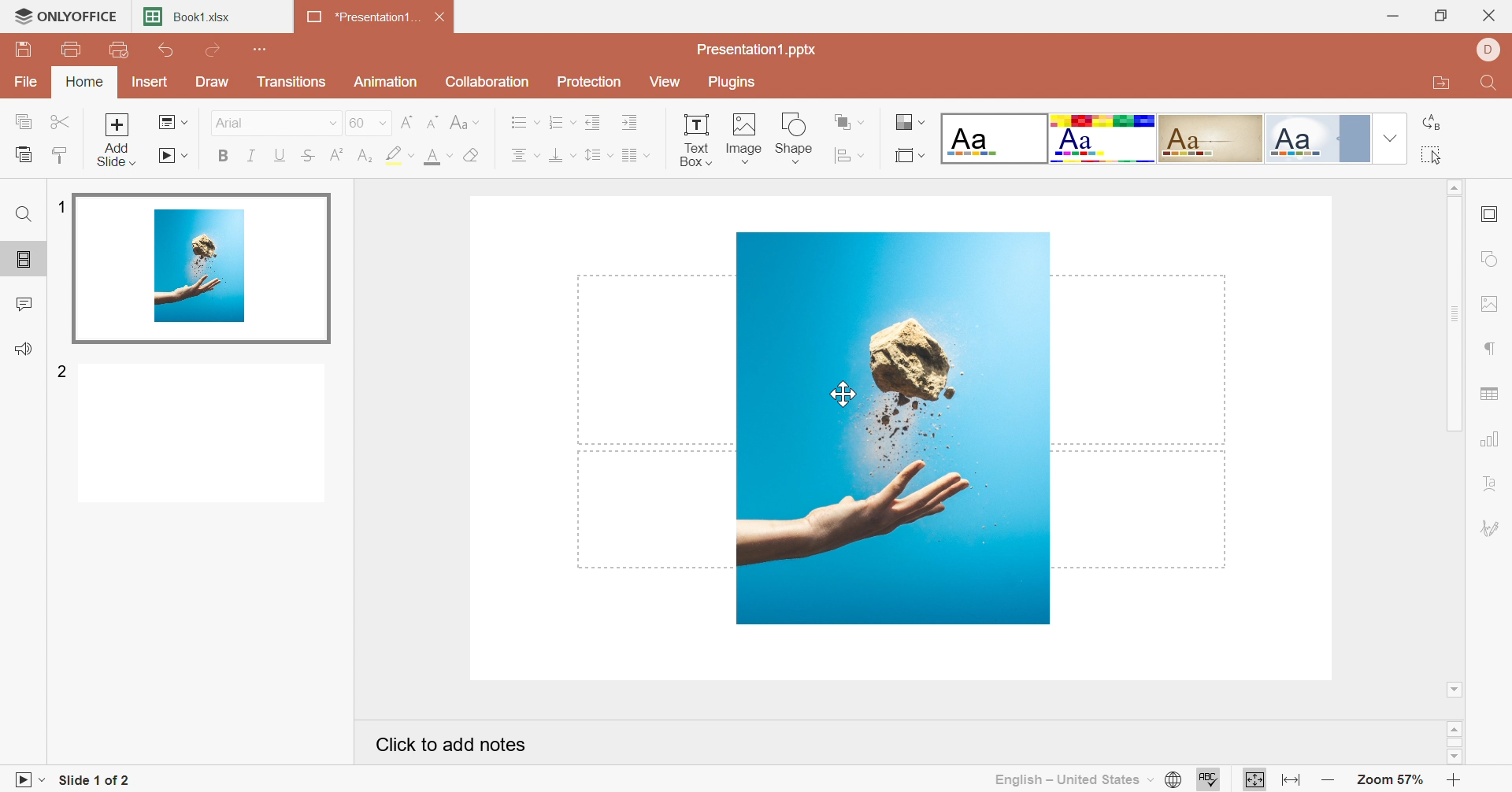 The height and width of the screenshot is (792, 1512). Describe the element at coordinates (280, 154) in the screenshot. I see `Underline` at that location.